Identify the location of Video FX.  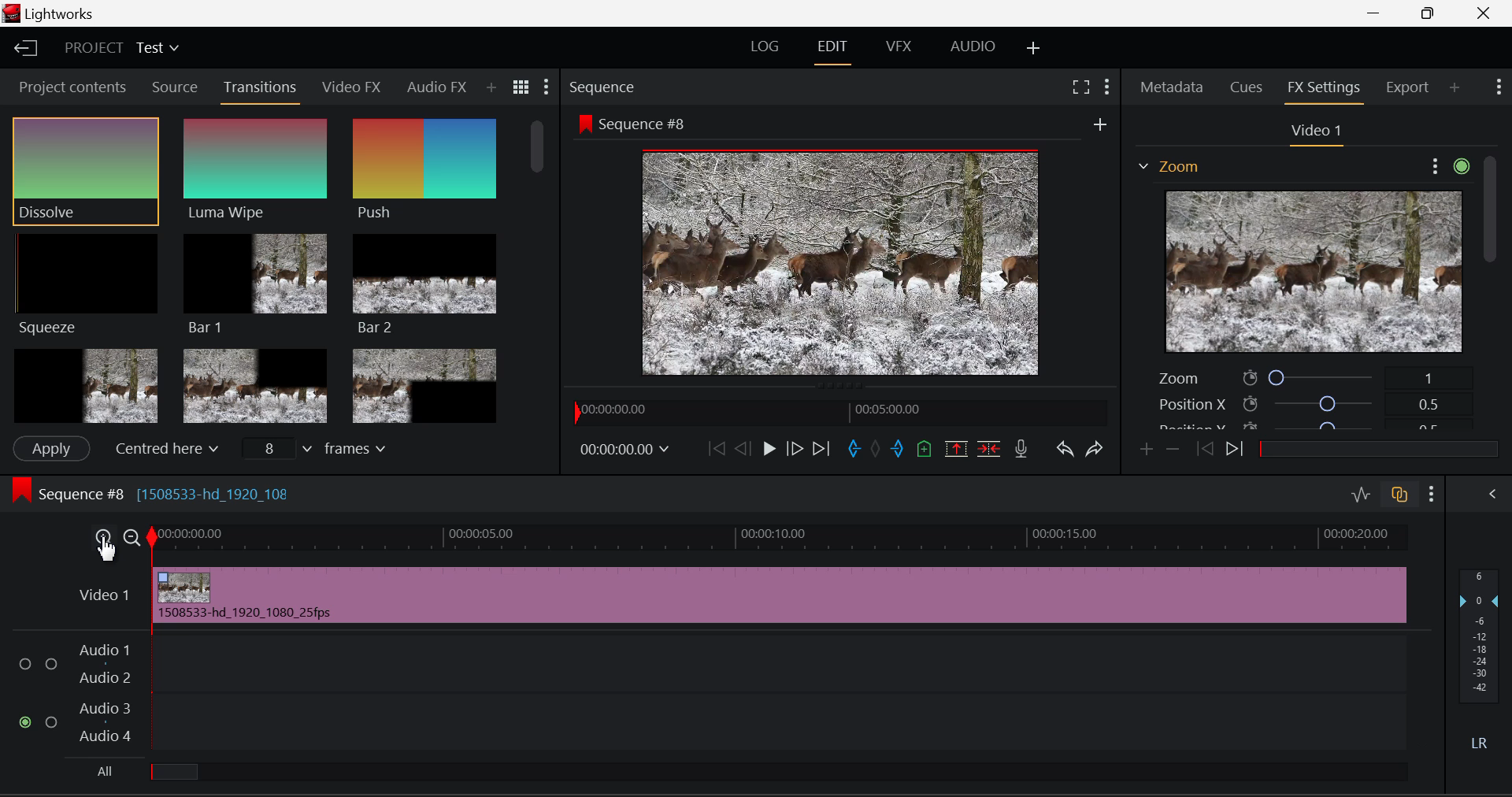
(351, 85).